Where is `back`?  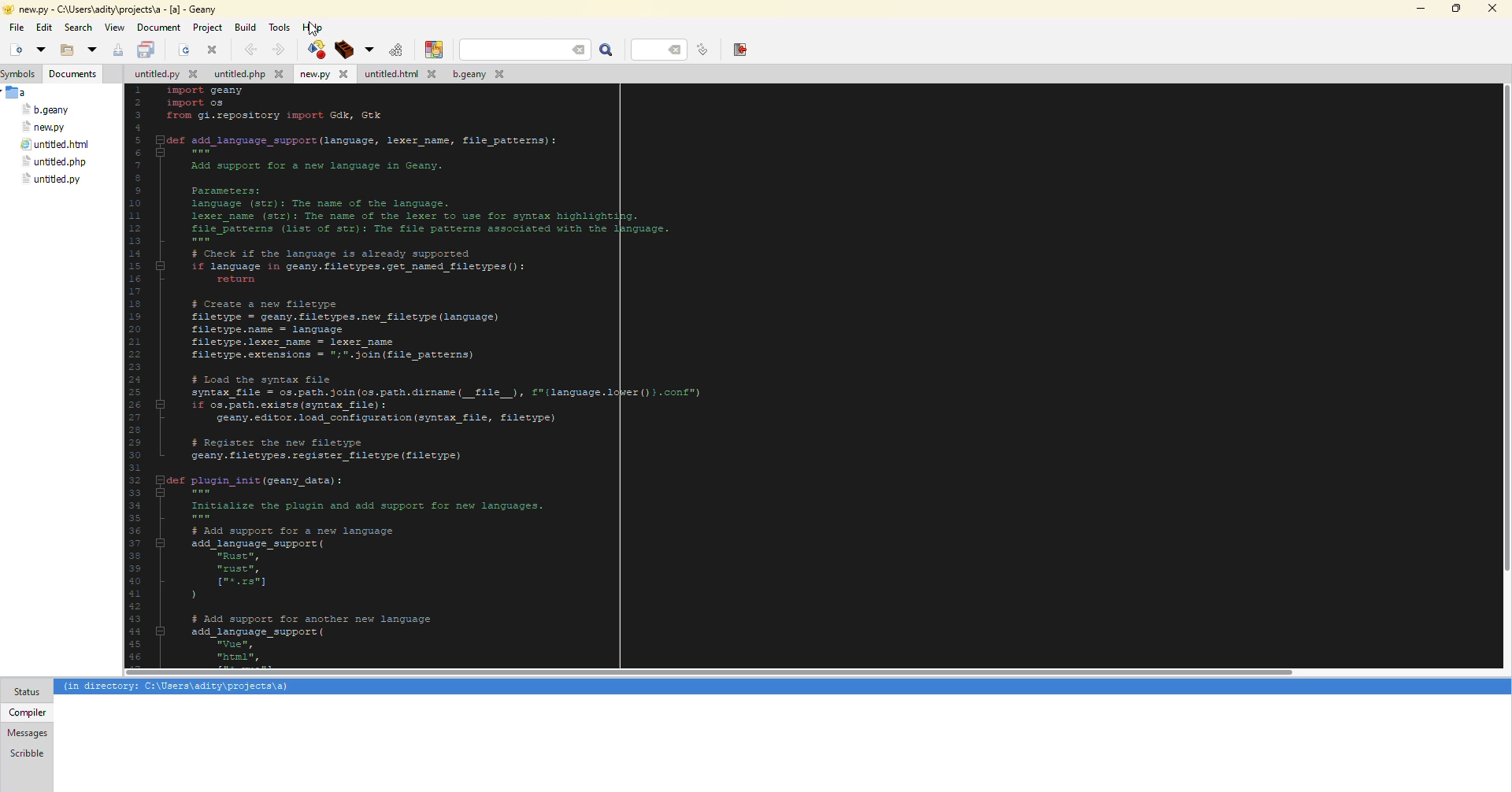
back is located at coordinates (249, 49).